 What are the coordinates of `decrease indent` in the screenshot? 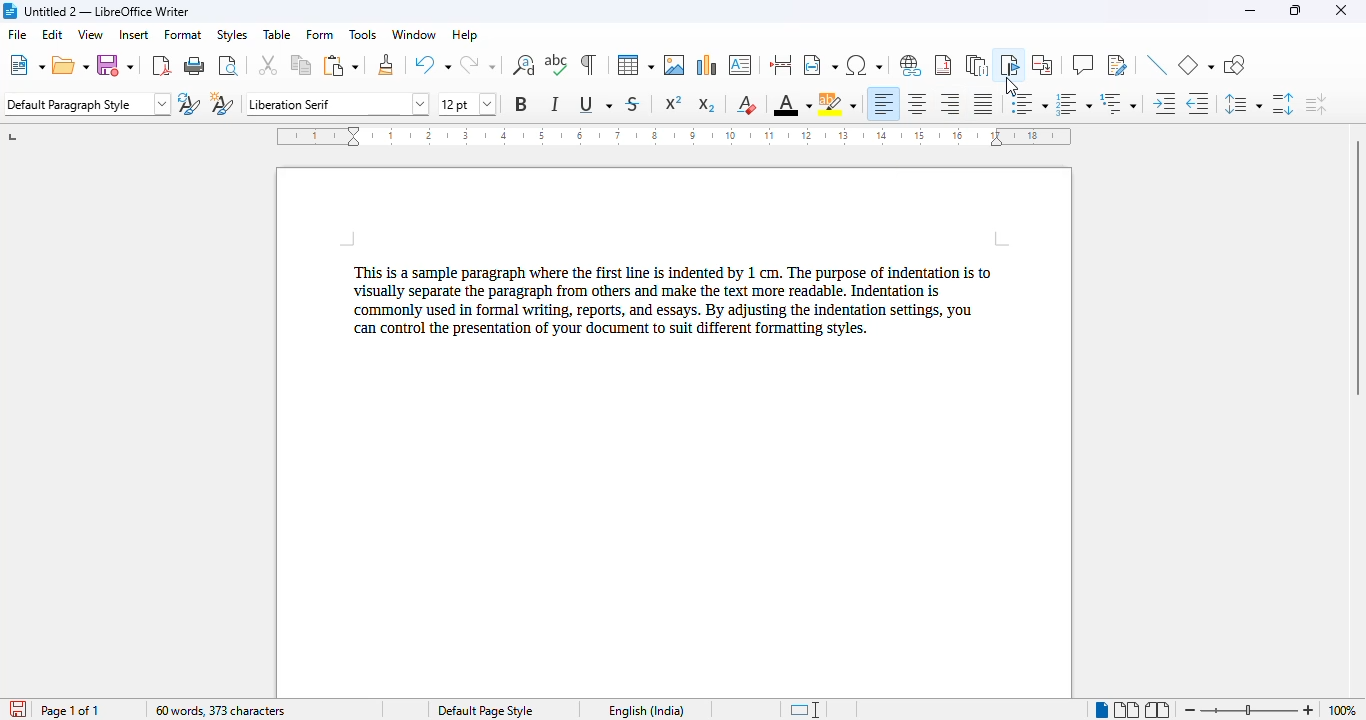 It's located at (1196, 103).